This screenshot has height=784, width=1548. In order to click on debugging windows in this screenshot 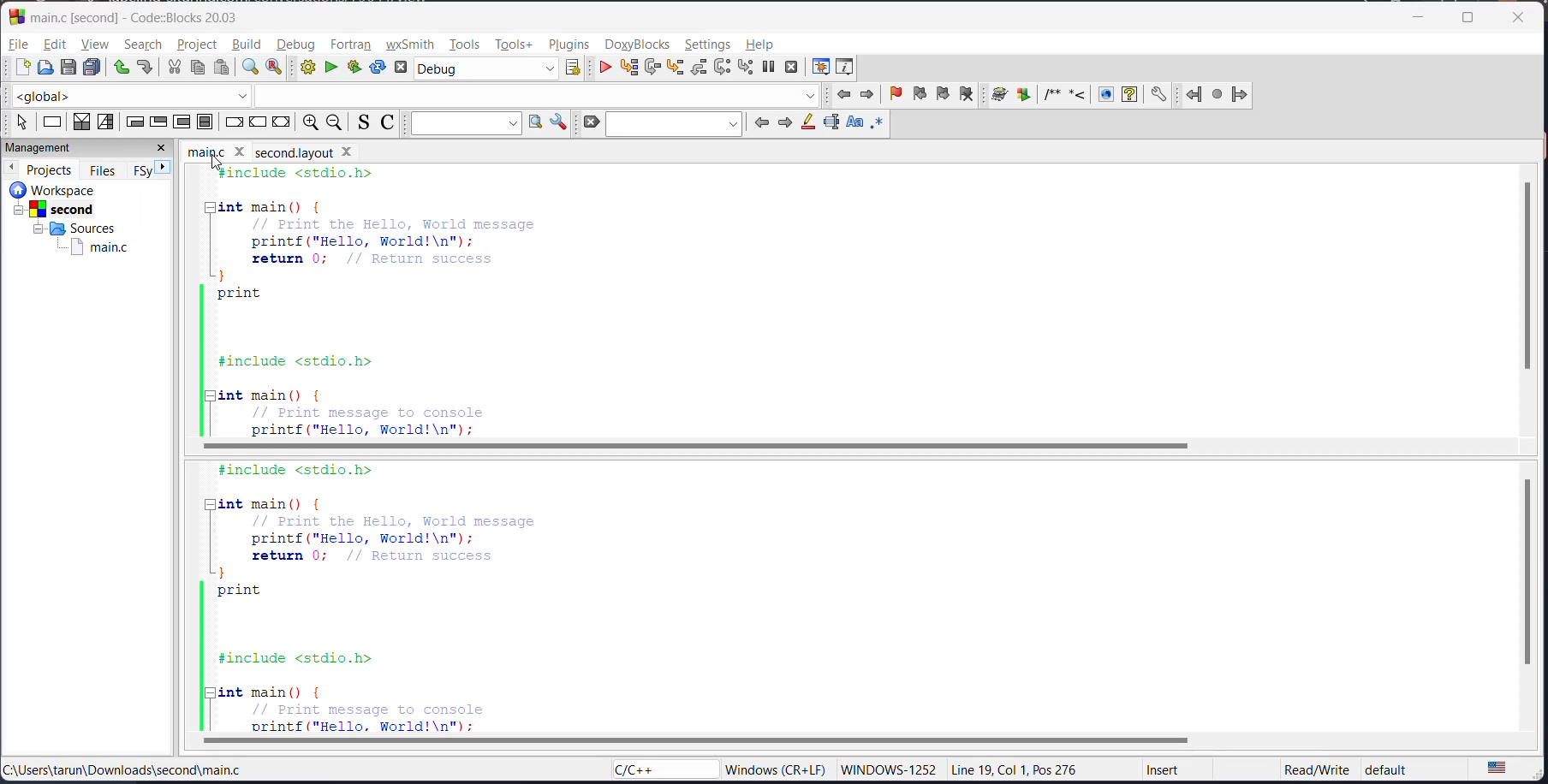, I will do `click(824, 66)`.